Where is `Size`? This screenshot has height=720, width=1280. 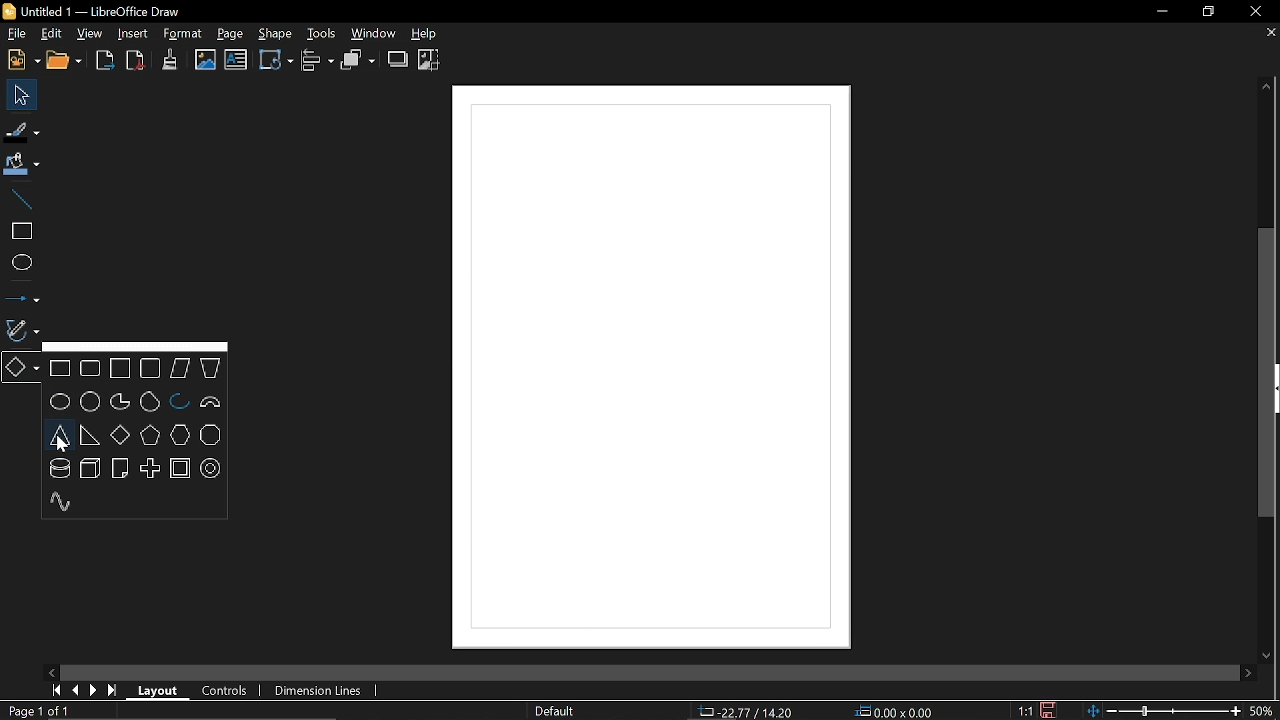
Size is located at coordinates (895, 712).